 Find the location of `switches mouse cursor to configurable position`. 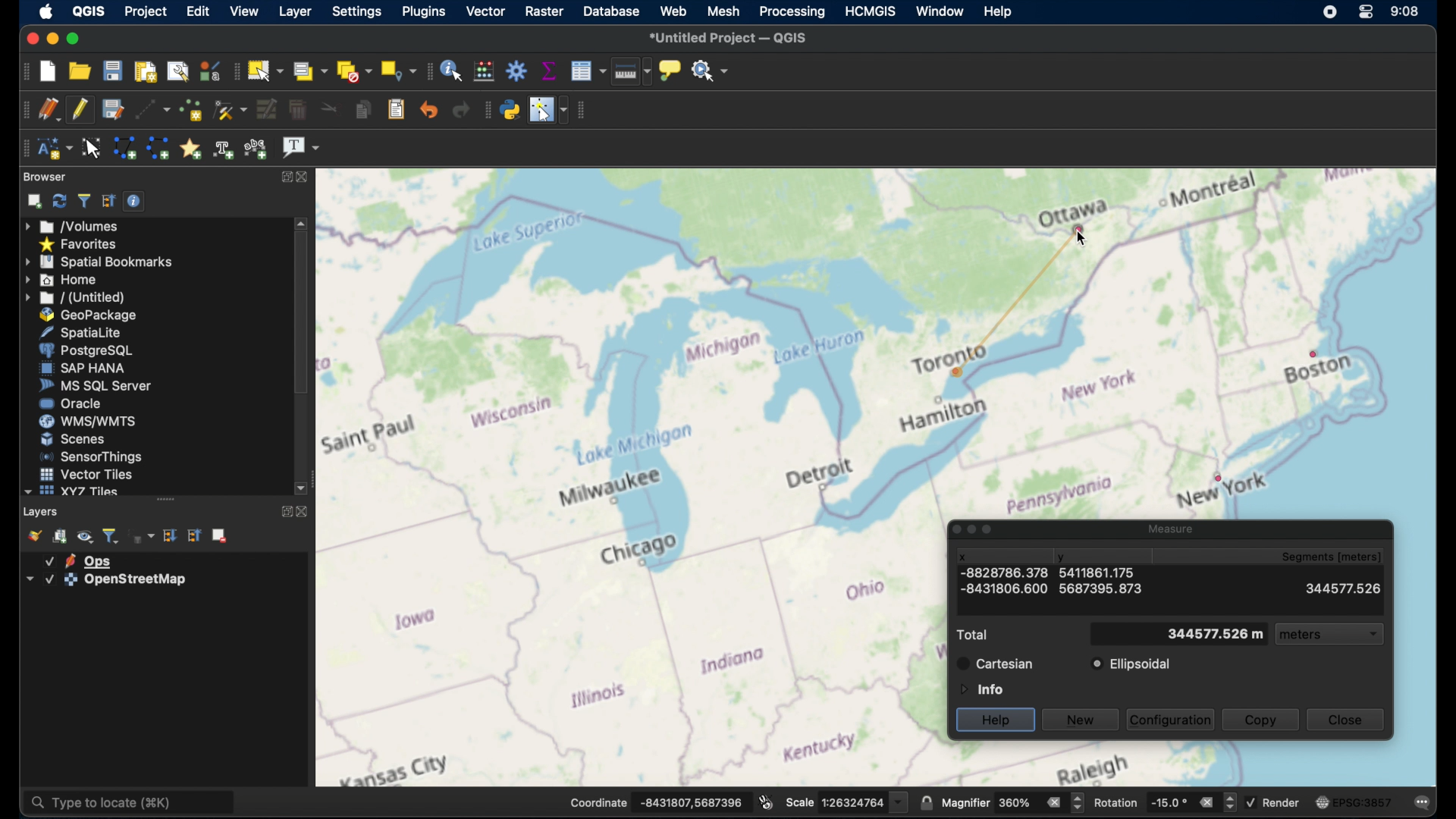

switches mouse cursor to configurable position is located at coordinates (549, 110).